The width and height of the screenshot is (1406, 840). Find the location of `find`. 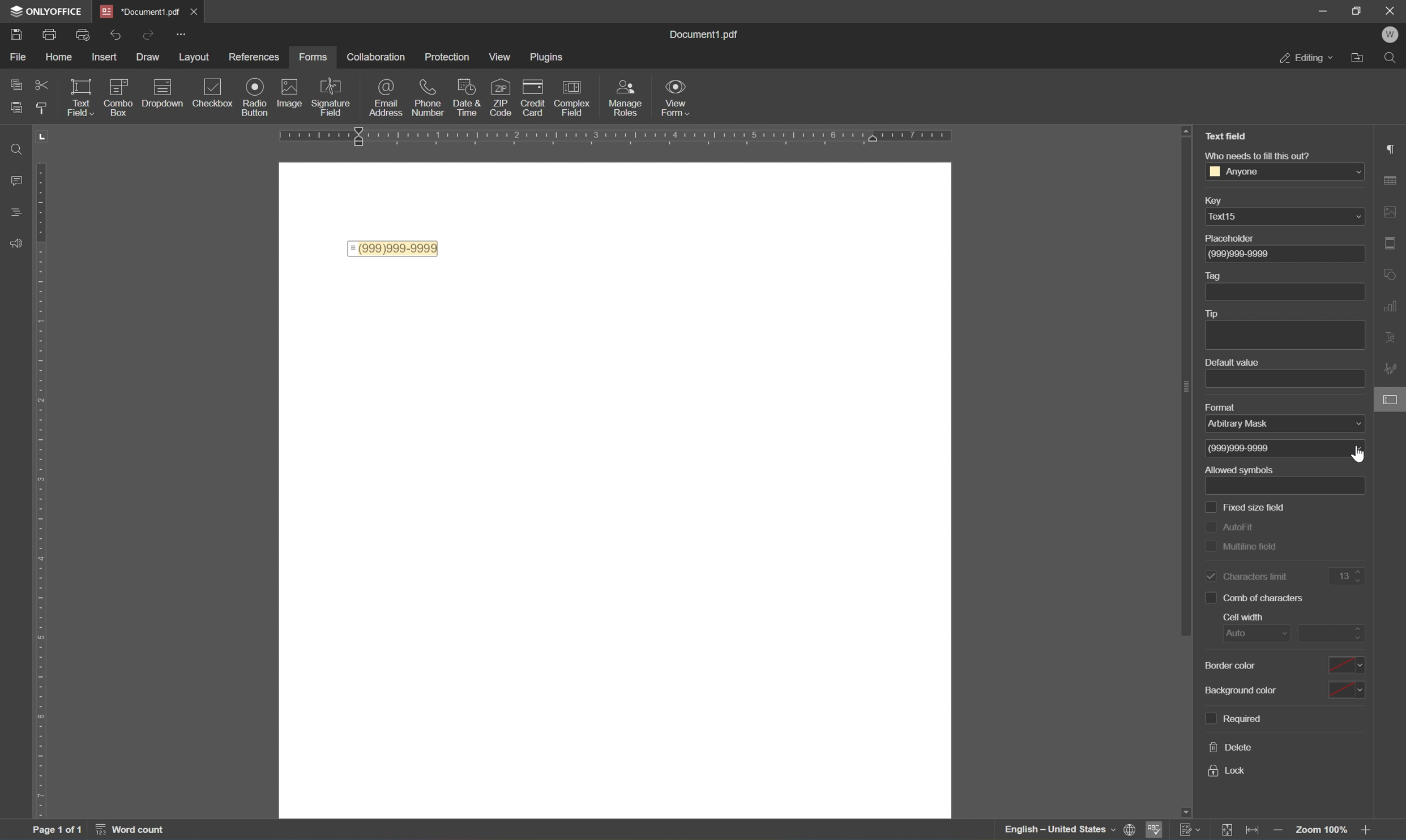

find is located at coordinates (11, 150).